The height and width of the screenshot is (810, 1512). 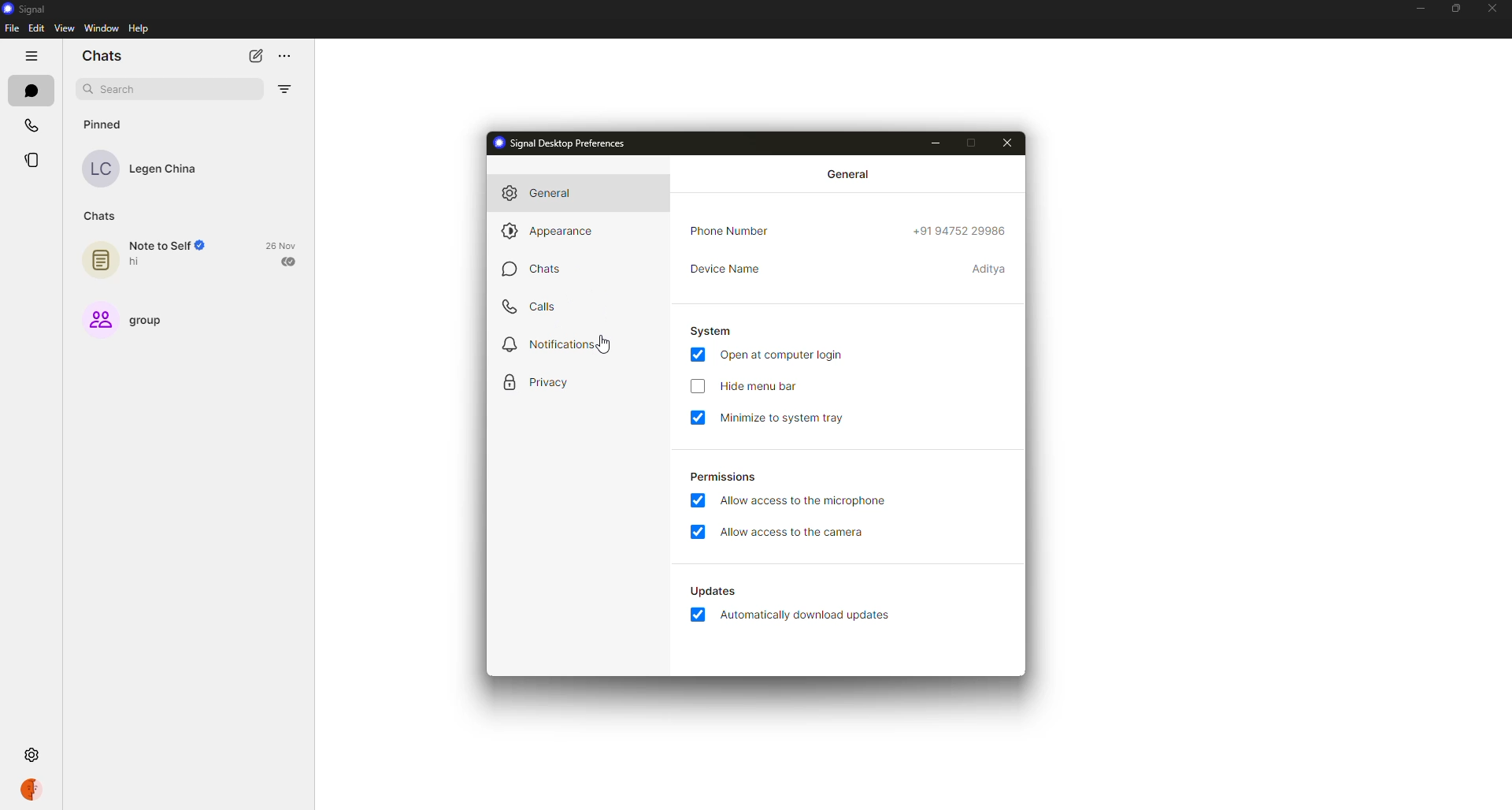 What do you see at coordinates (724, 268) in the screenshot?
I see `device name` at bounding box center [724, 268].